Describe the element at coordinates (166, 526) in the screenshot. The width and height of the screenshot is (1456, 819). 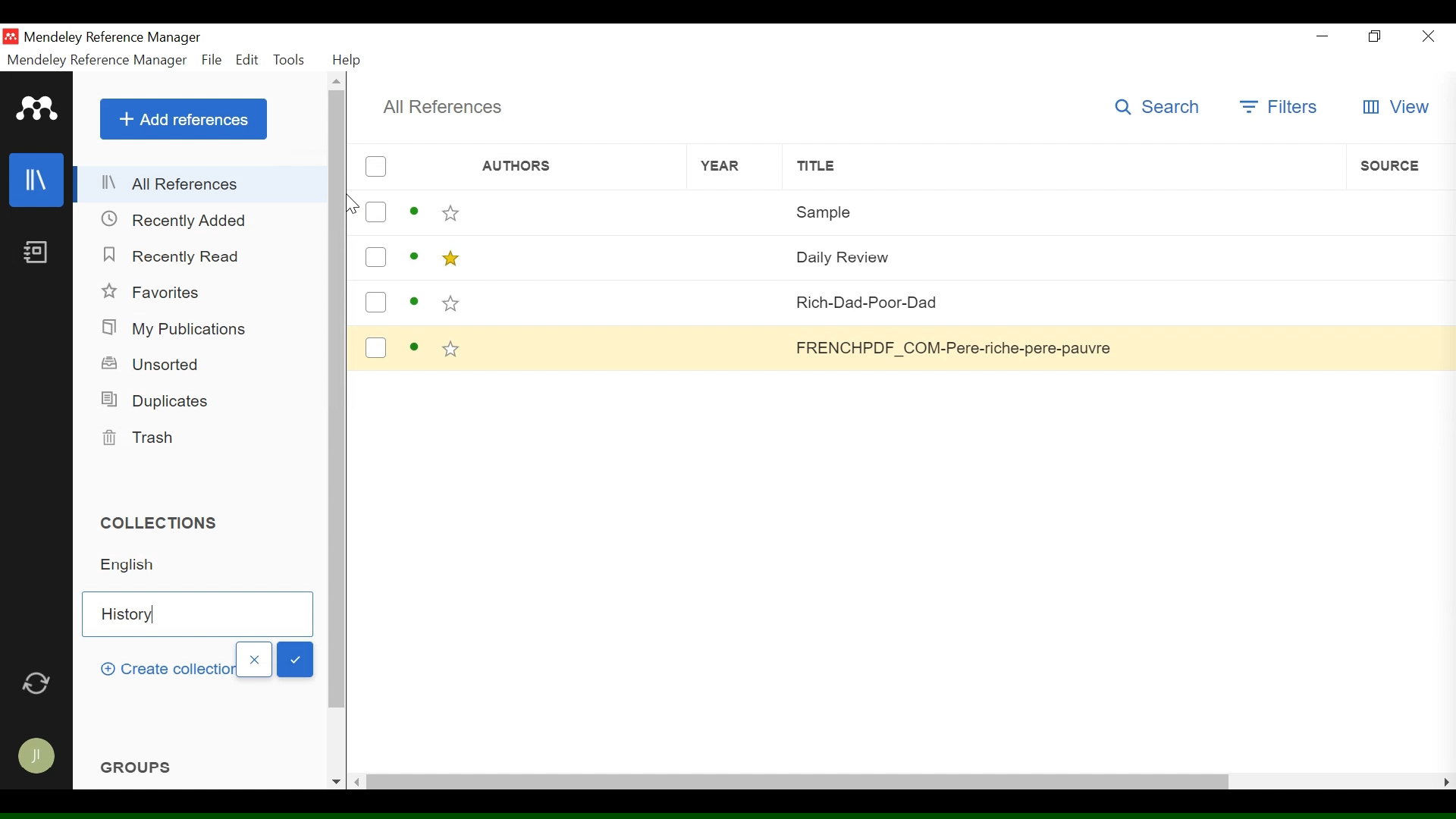
I see `Collections` at that location.